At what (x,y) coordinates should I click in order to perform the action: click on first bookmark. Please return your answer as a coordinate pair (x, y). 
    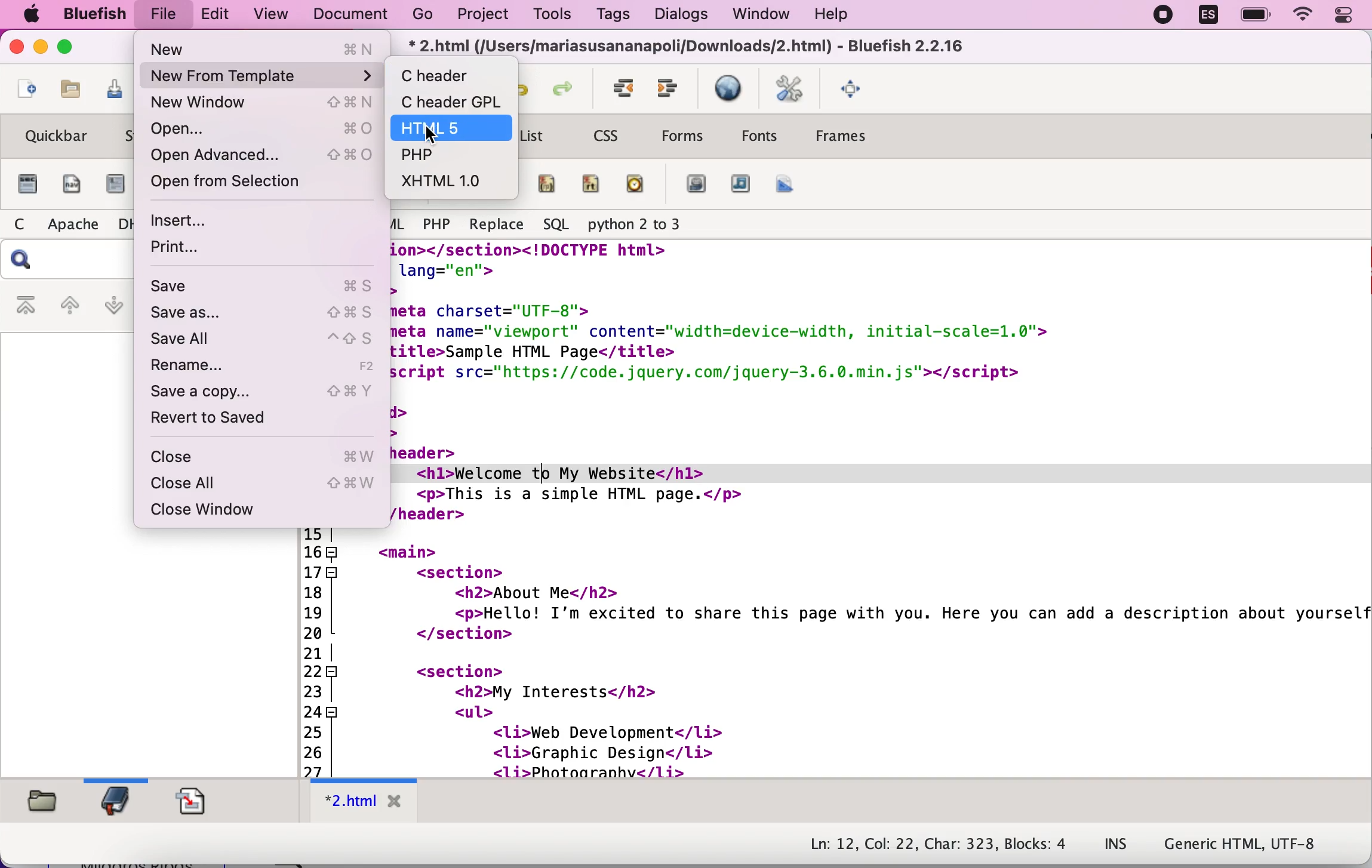
    Looking at the image, I should click on (23, 303).